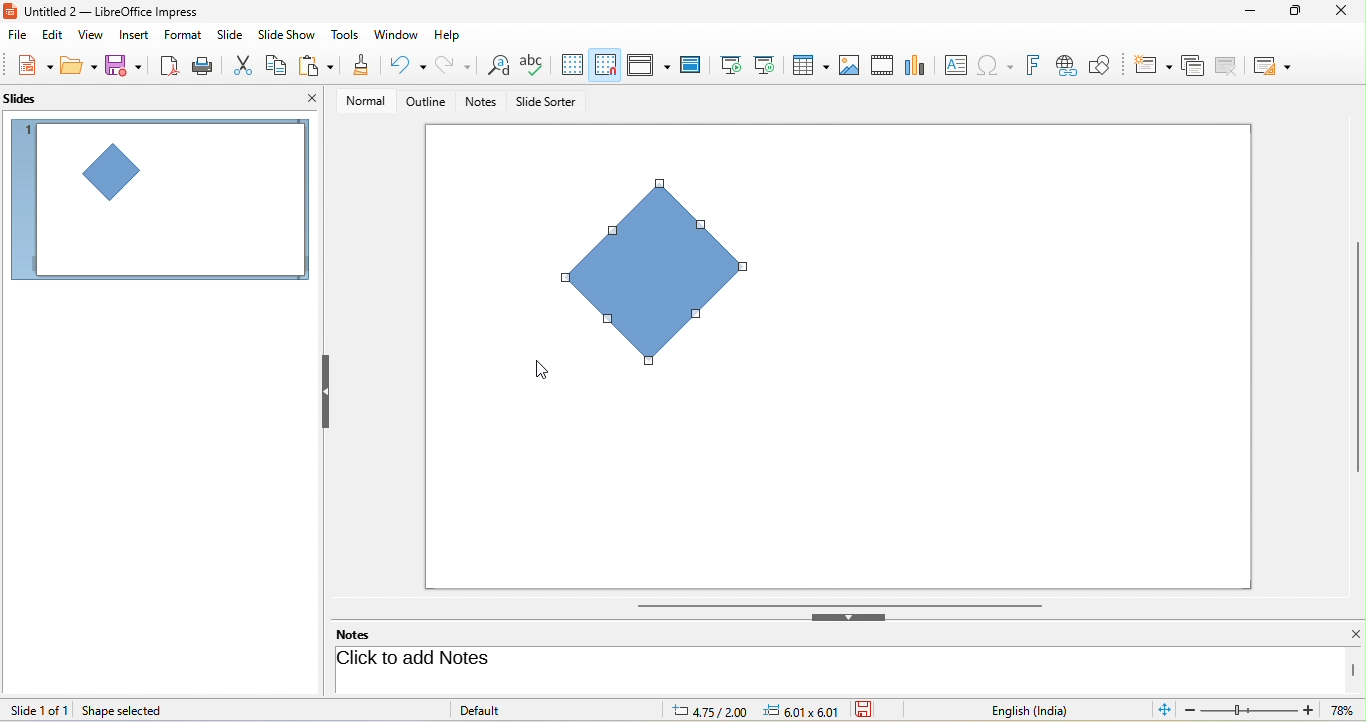 The height and width of the screenshot is (722, 1366). What do you see at coordinates (9, 10) in the screenshot?
I see `libre office impress logo` at bounding box center [9, 10].